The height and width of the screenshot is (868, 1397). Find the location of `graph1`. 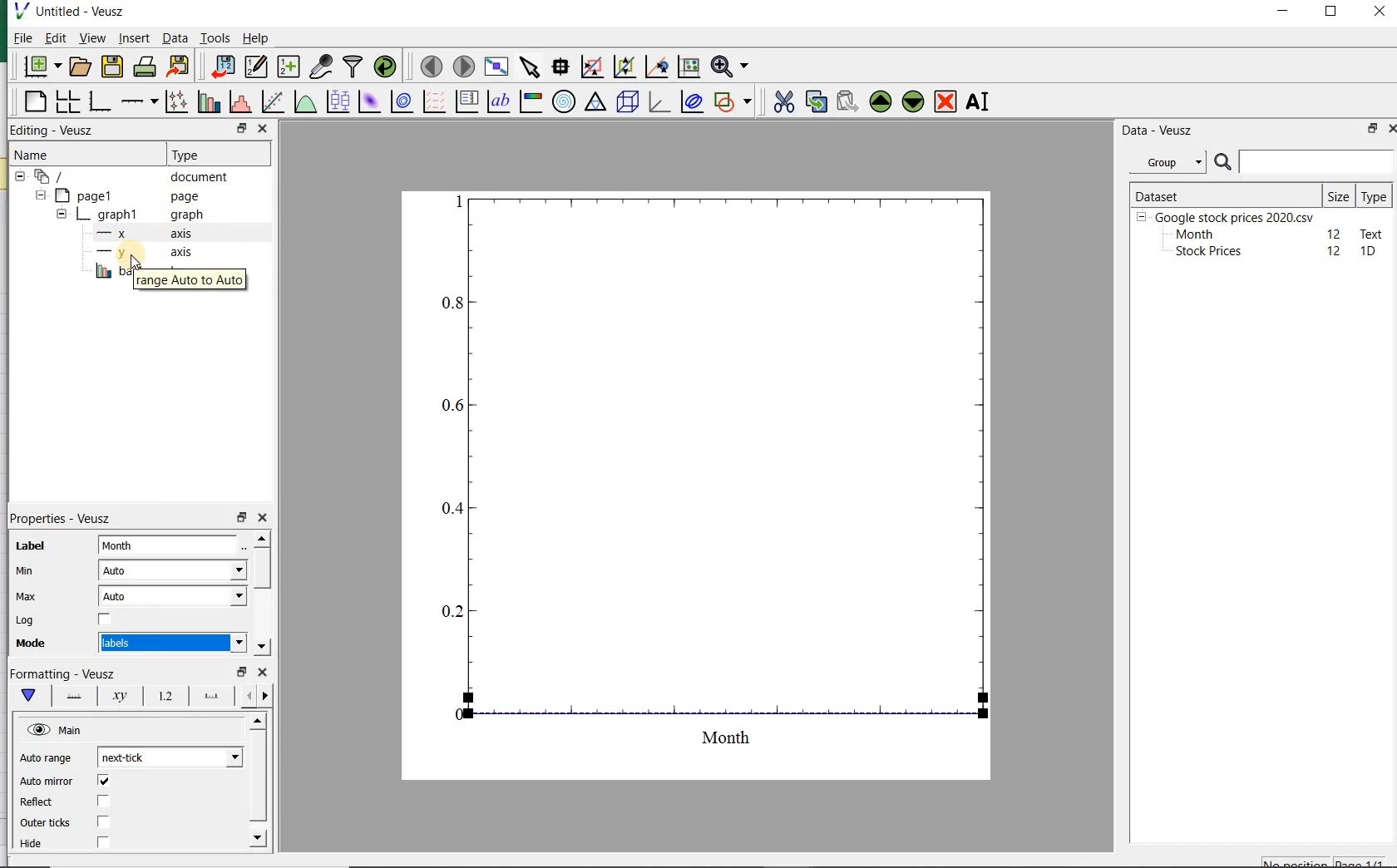

graph1 is located at coordinates (127, 216).